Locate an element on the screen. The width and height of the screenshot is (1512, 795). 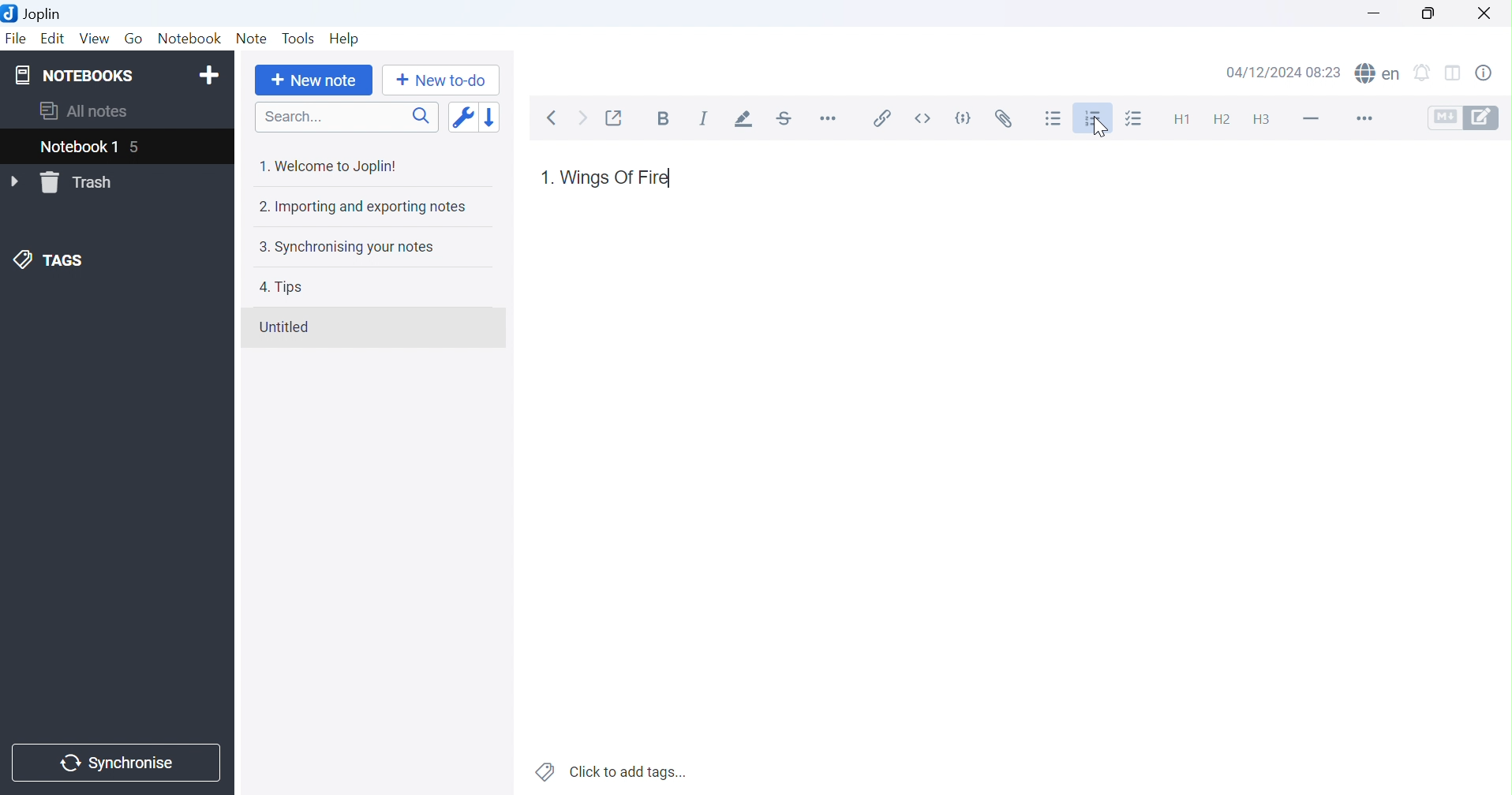
Search is located at coordinates (346, 117).